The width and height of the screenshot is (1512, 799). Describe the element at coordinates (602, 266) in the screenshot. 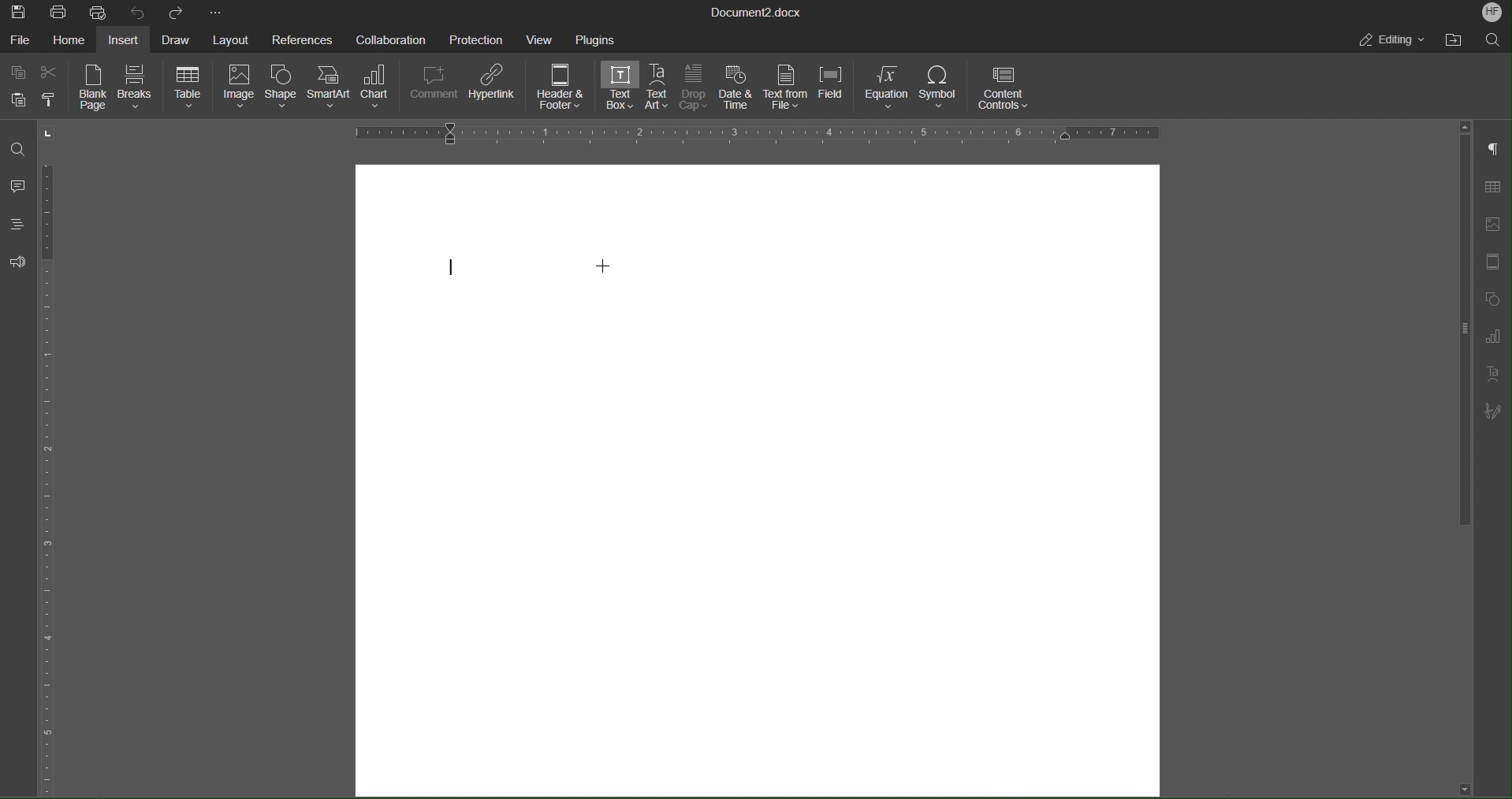

I see `Cursor` at that location.